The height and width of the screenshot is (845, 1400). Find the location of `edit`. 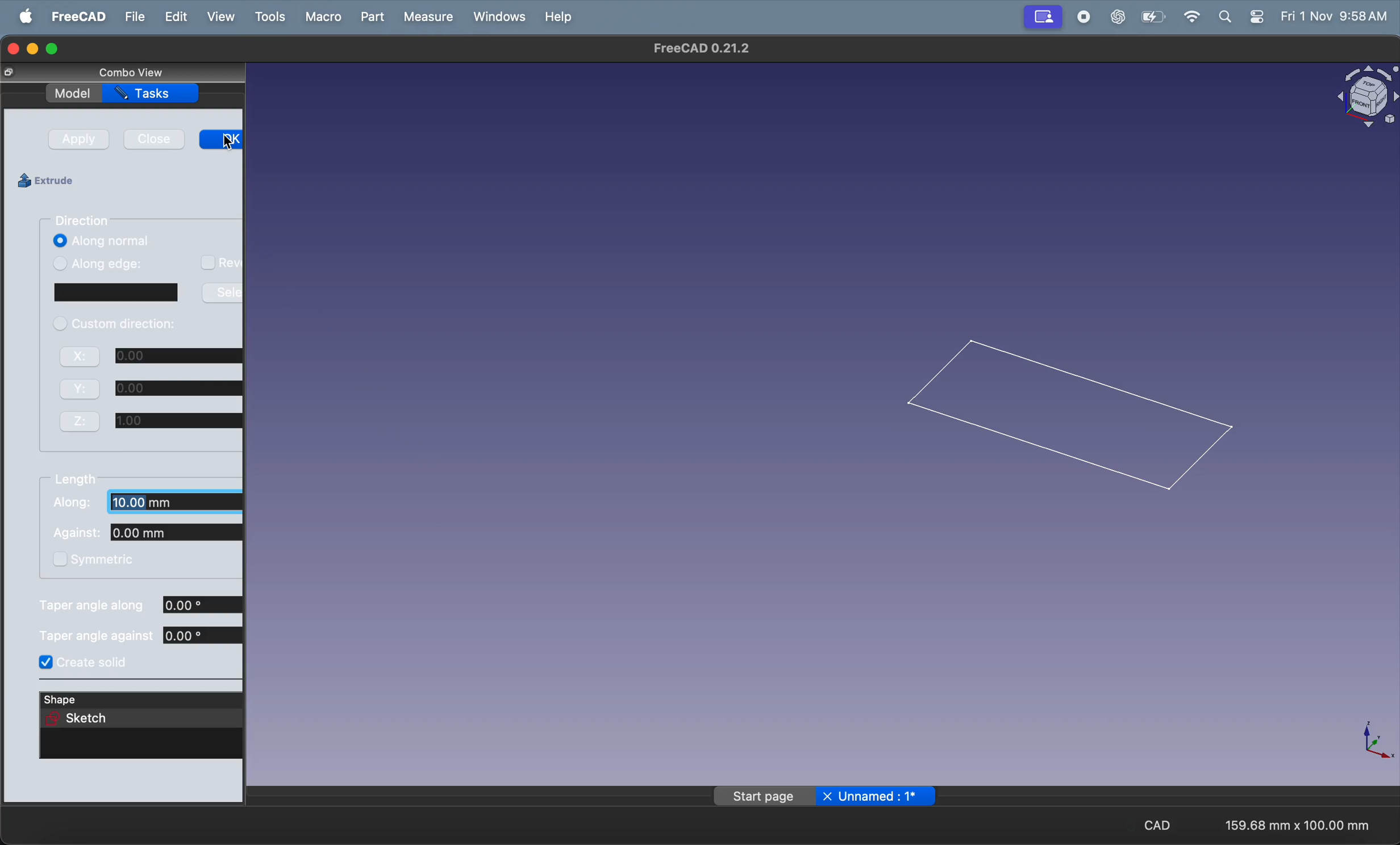

edit is located at coordinates (172, 16).